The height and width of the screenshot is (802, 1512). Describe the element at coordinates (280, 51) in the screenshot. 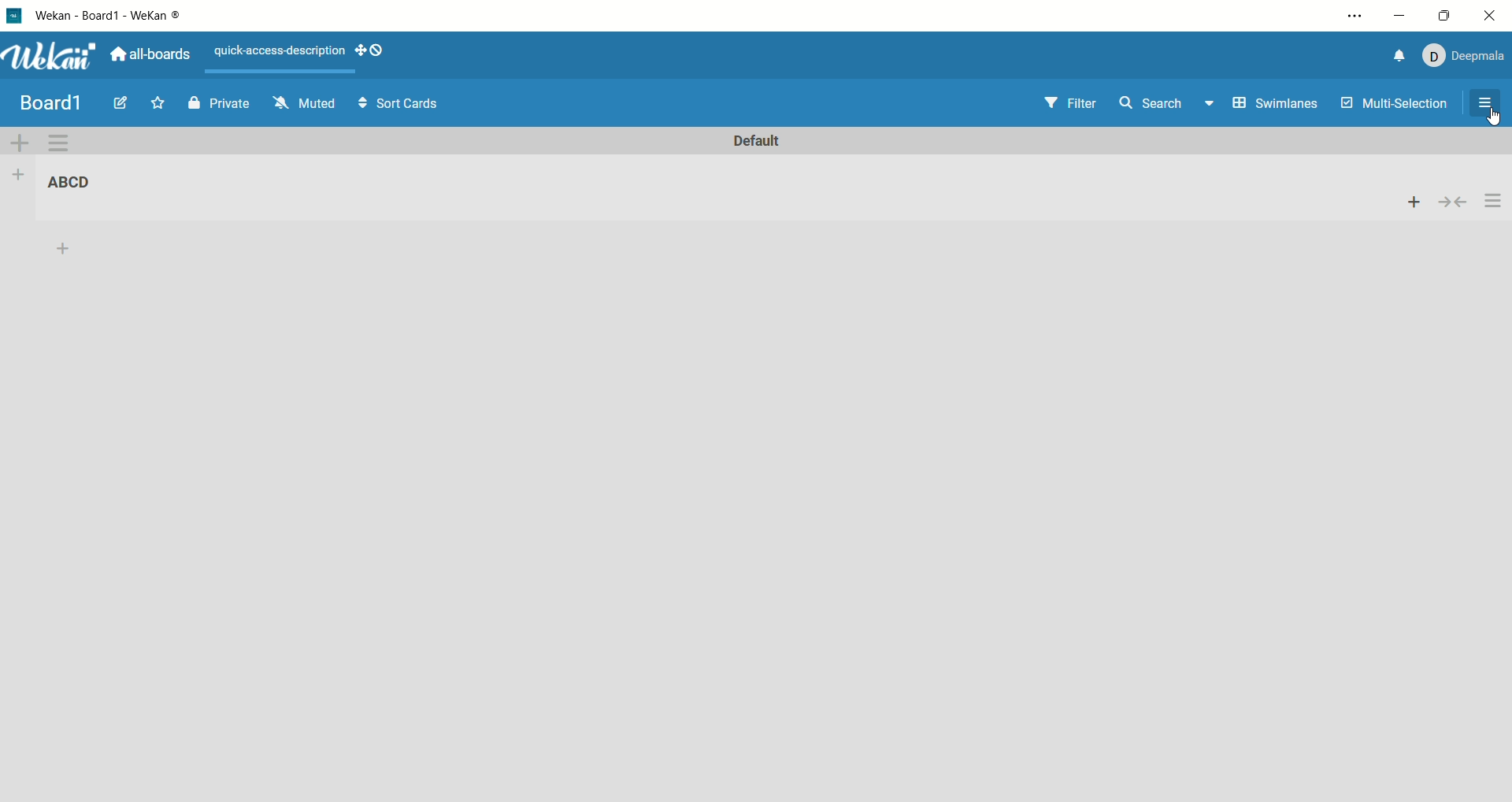

I see `text` at that location.